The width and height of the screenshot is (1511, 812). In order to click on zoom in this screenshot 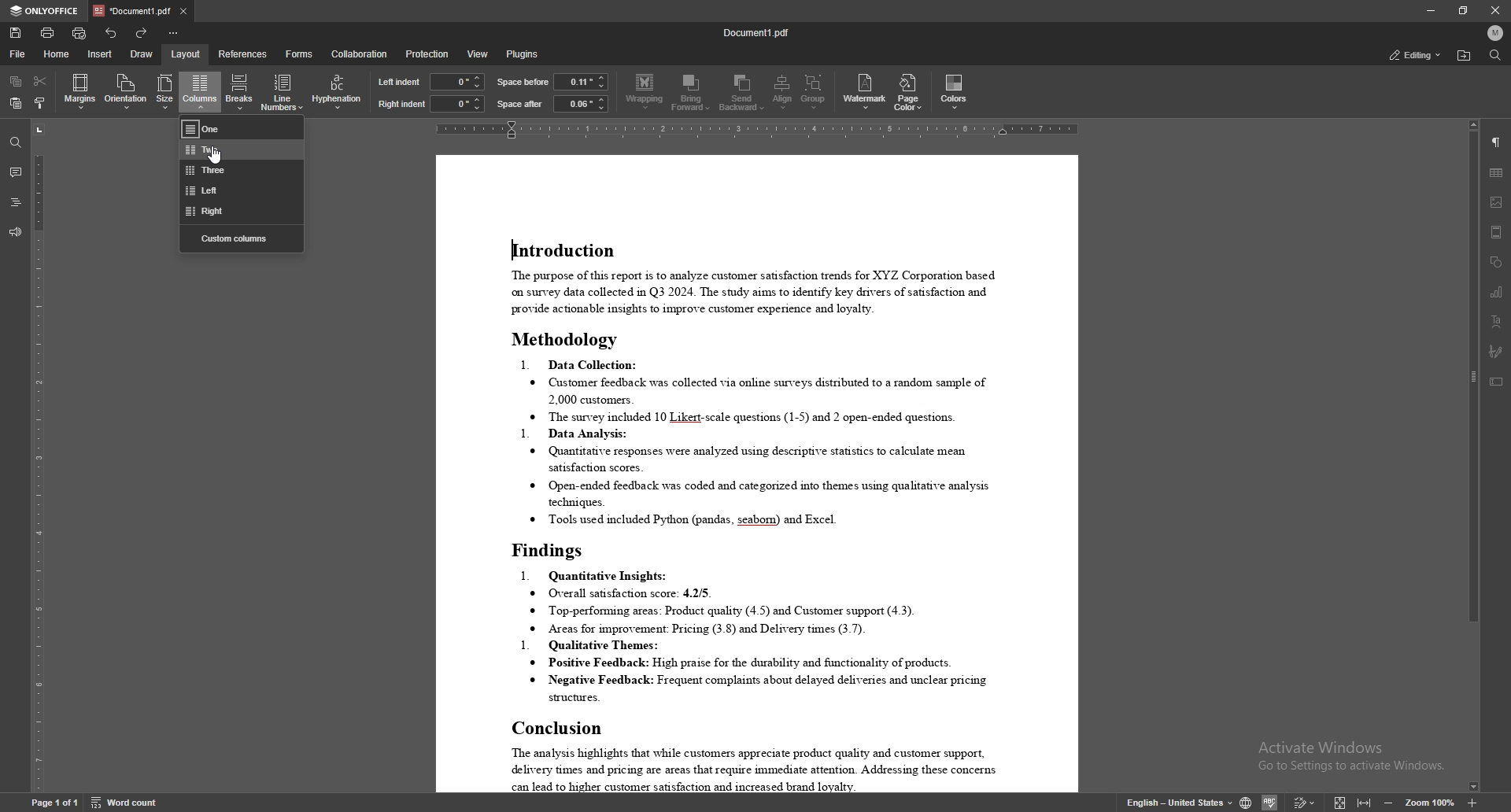, I will do `click(1431, 801)`.